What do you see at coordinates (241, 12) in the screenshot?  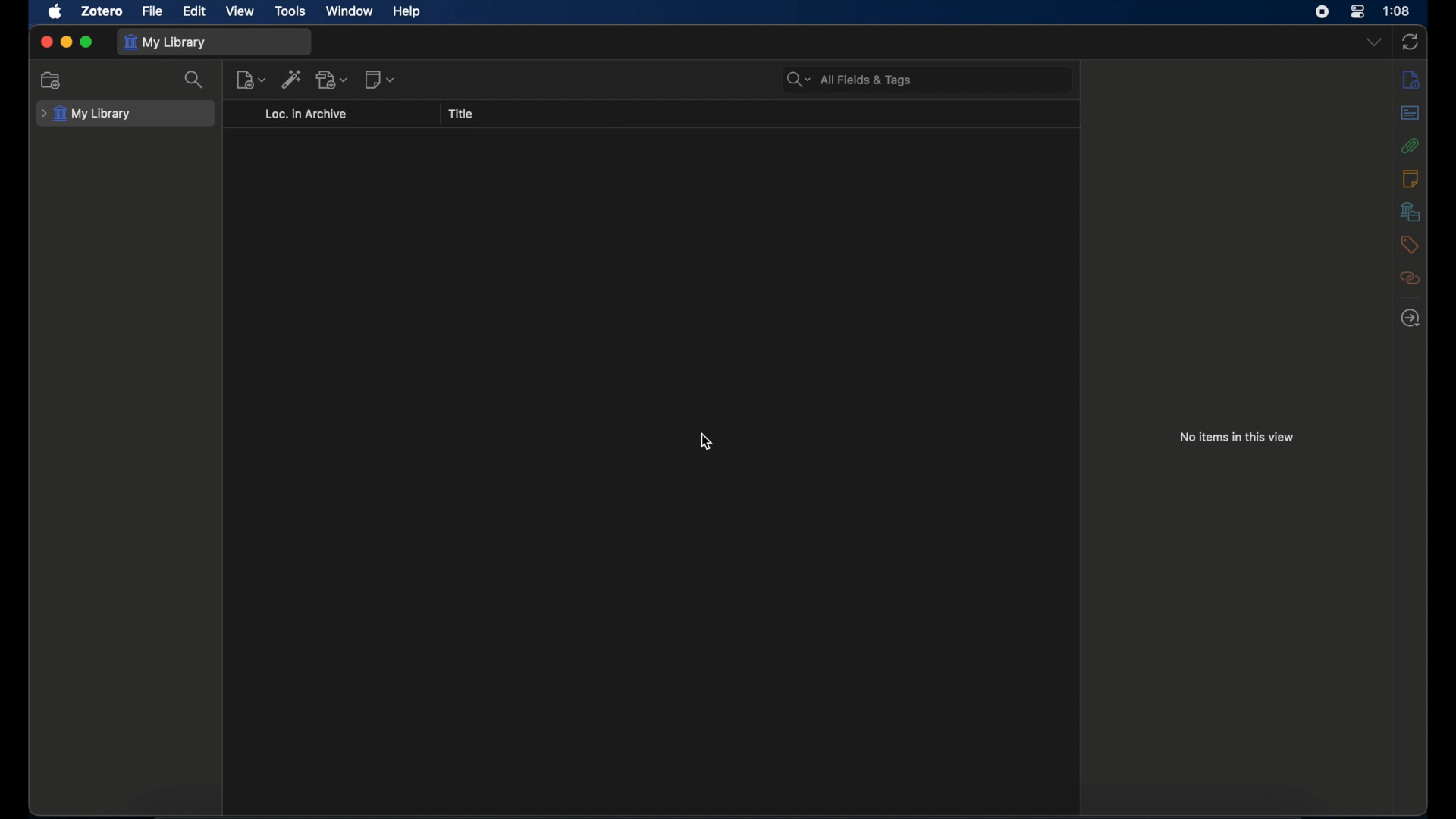 I see `view` at bounding box center [241, 12].